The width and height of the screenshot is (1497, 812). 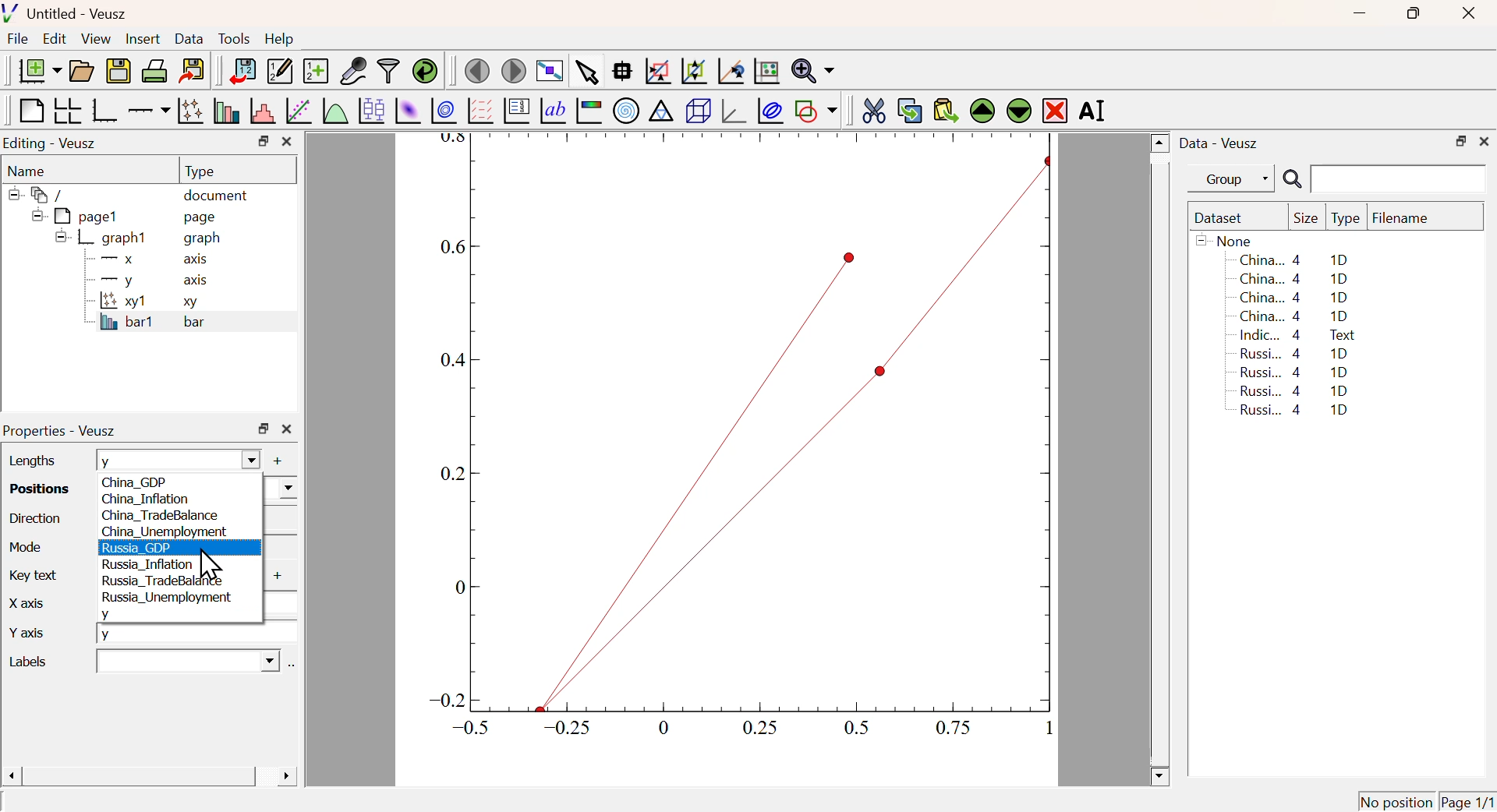 I want to click on Blank Page, so click(x=30, y=111).